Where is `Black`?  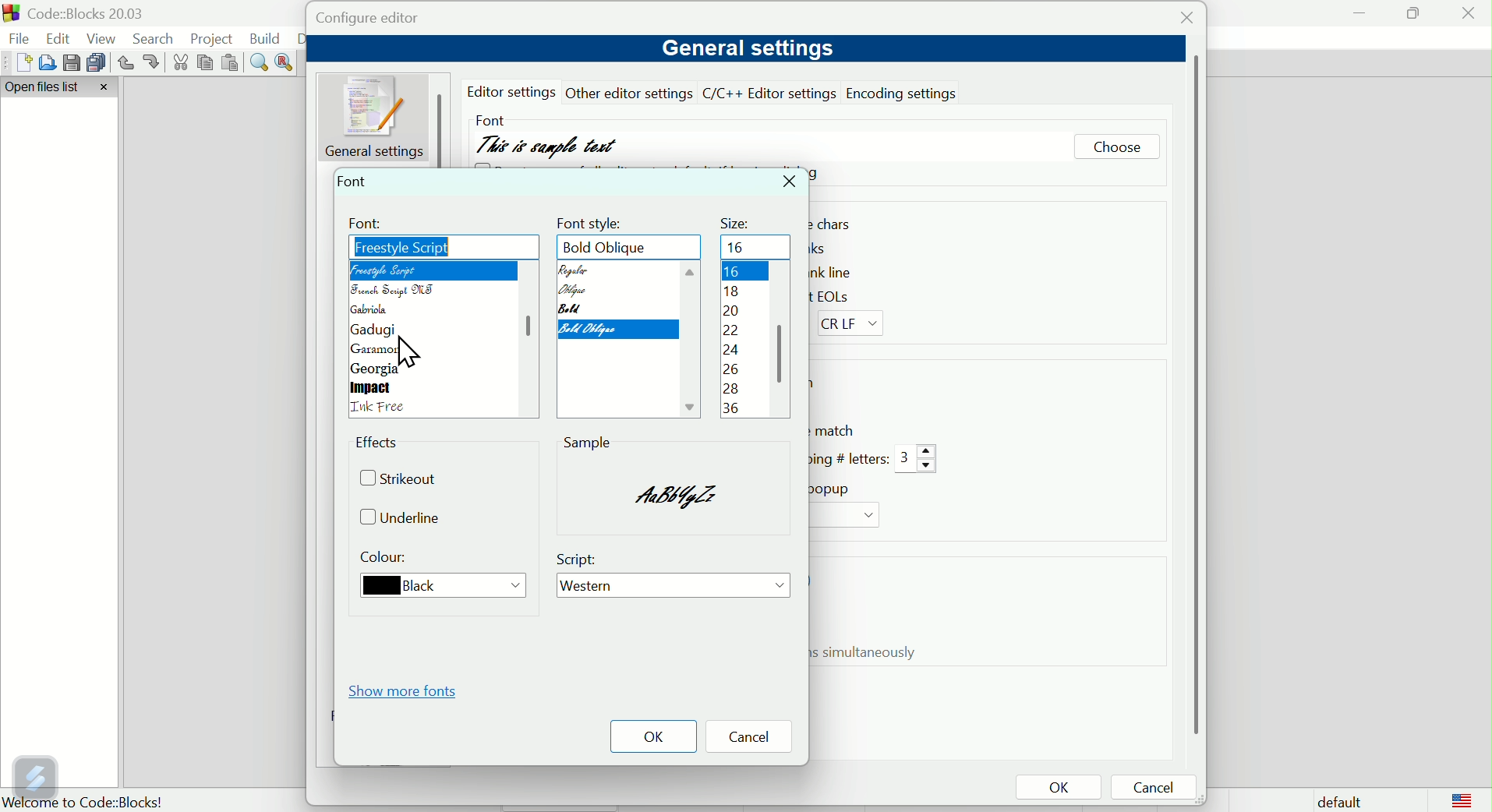 Black is located at coordinates (436, 587).